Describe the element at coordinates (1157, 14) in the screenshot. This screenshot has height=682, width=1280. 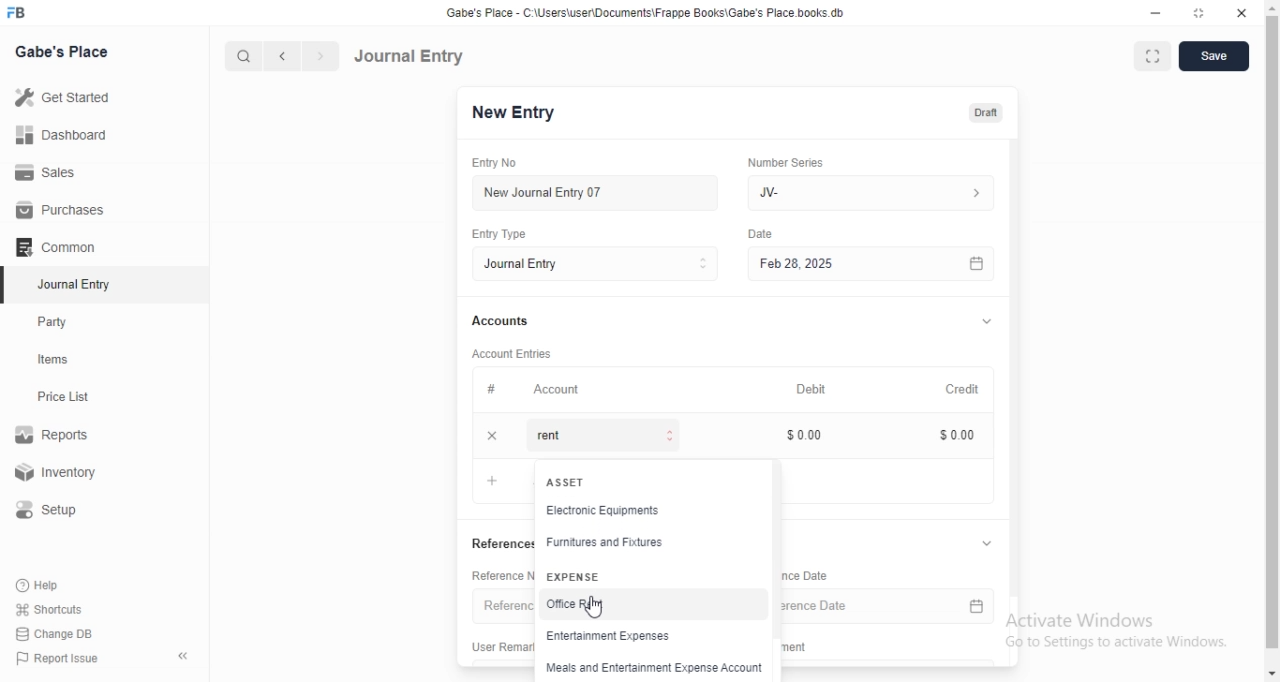
I see `minimize` at that location.